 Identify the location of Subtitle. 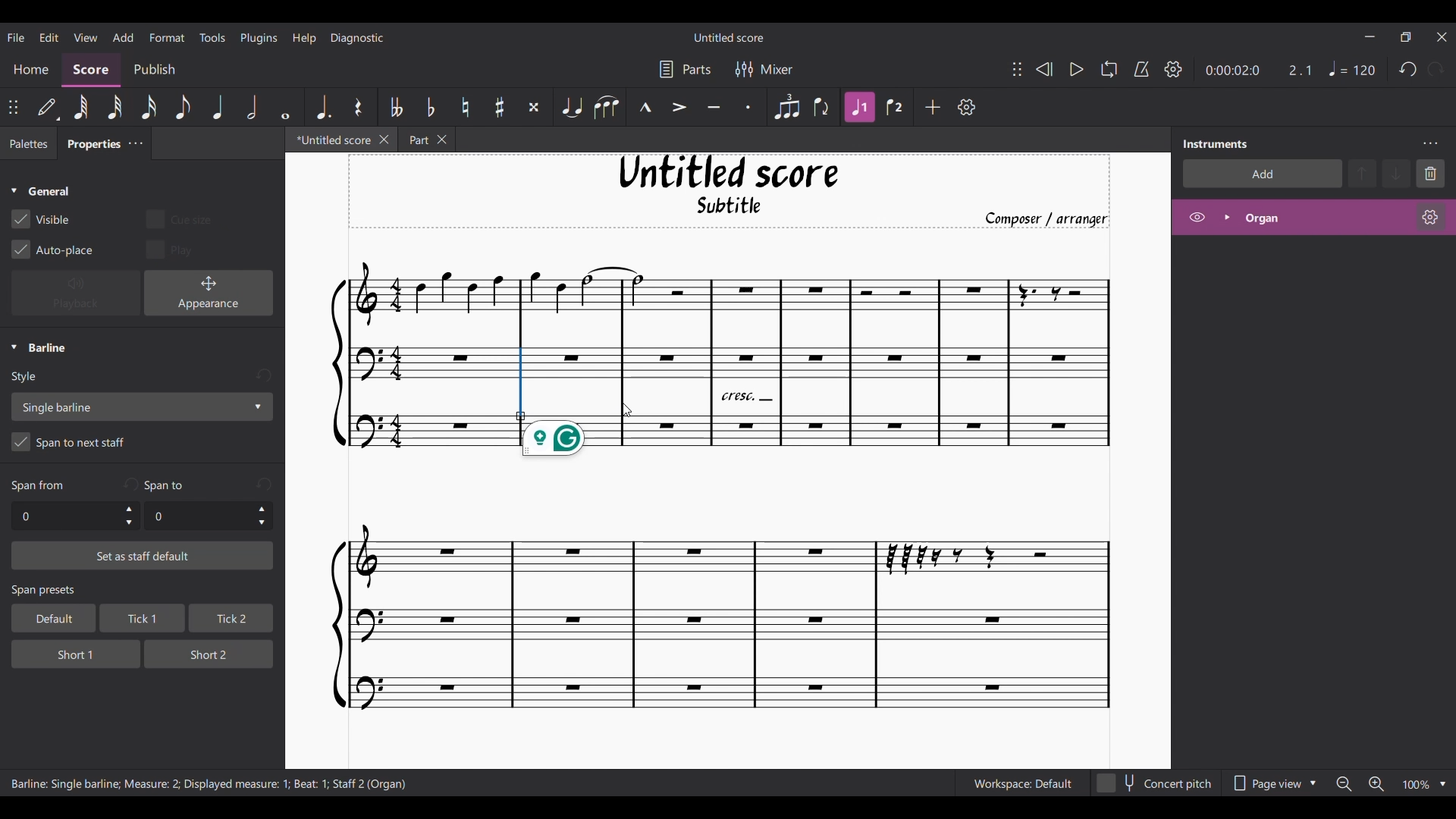
(731, 209).